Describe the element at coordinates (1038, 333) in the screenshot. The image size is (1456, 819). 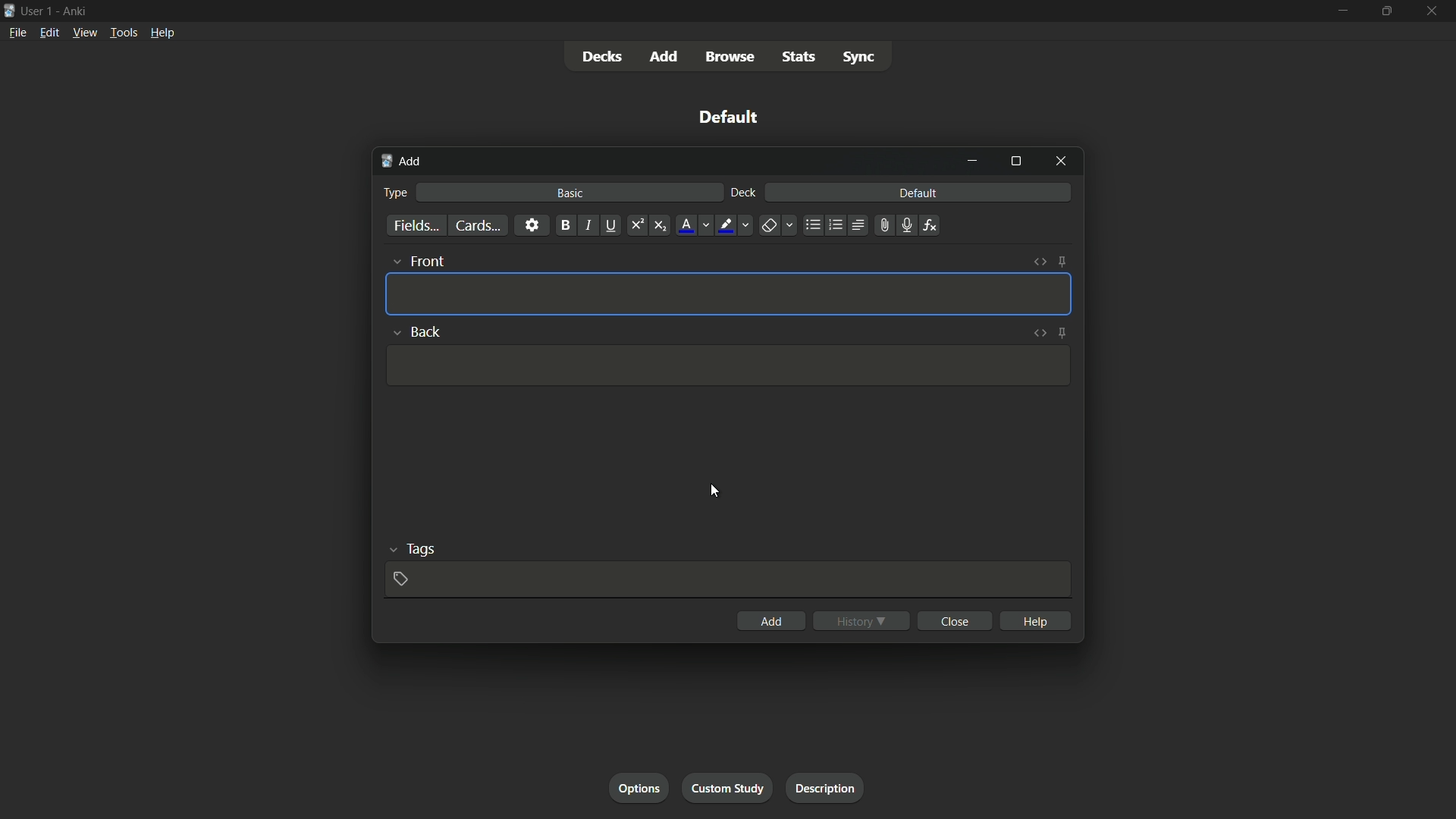
I see `toggle html editor` at that location.